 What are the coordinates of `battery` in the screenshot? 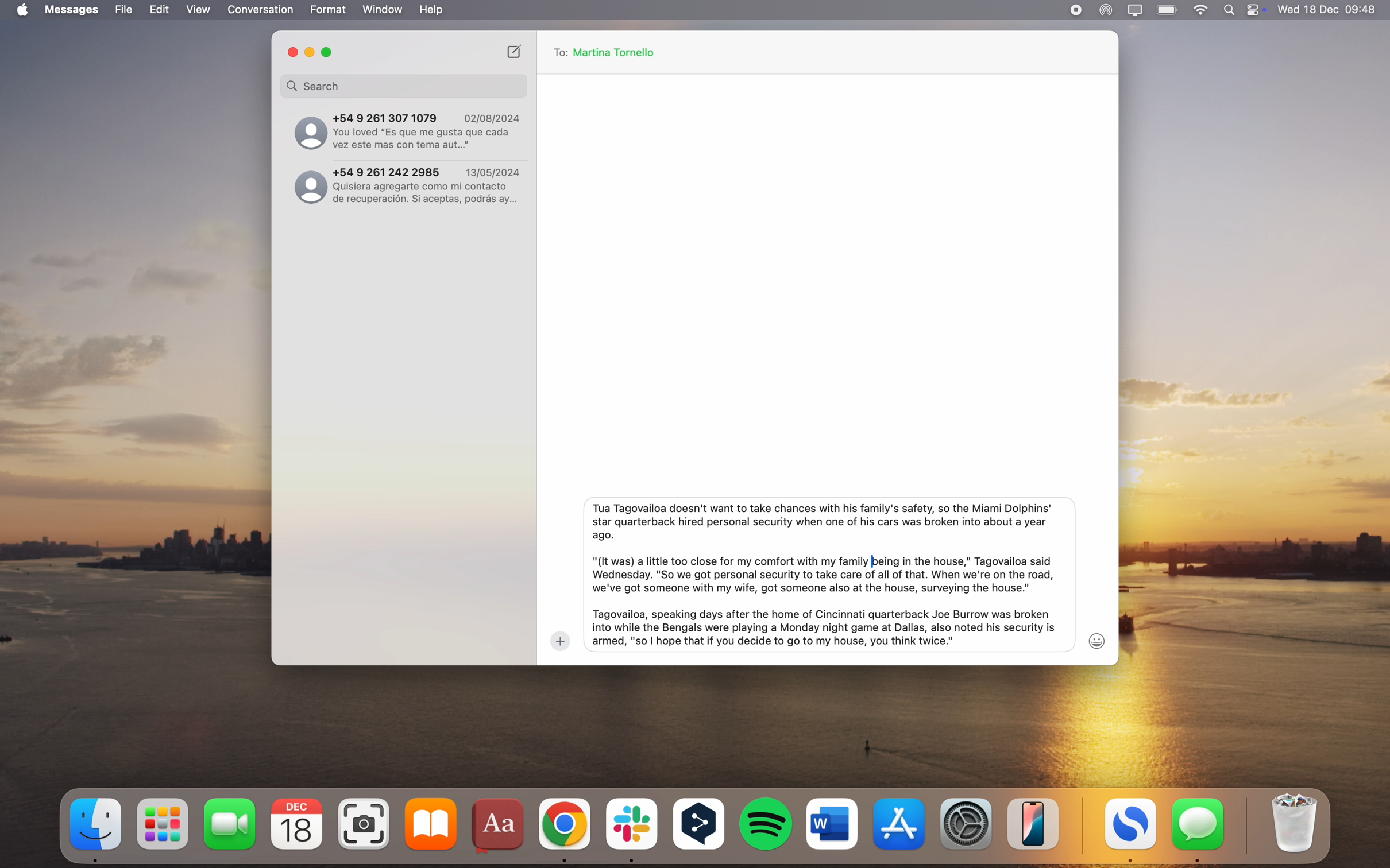 It's located at (1168, 9).